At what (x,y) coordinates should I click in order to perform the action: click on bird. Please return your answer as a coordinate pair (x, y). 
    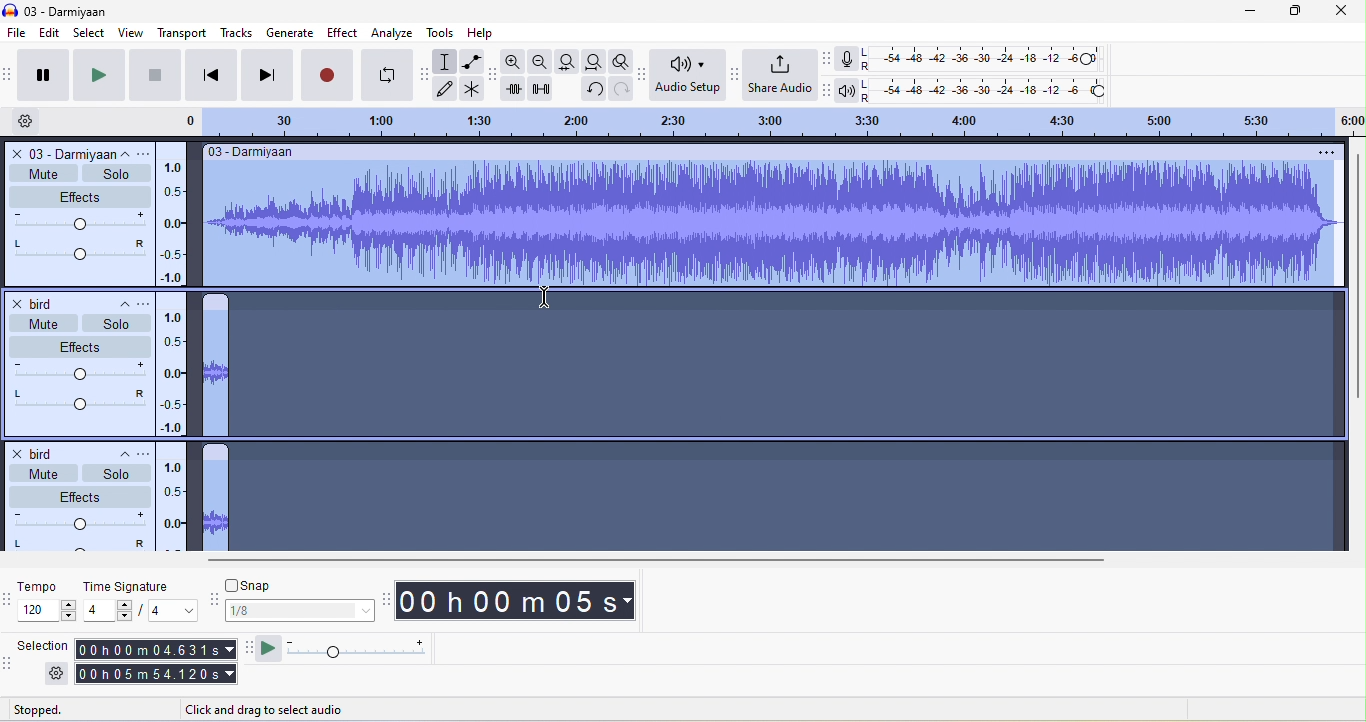
    Looking at the image, I should click on (38, 302).